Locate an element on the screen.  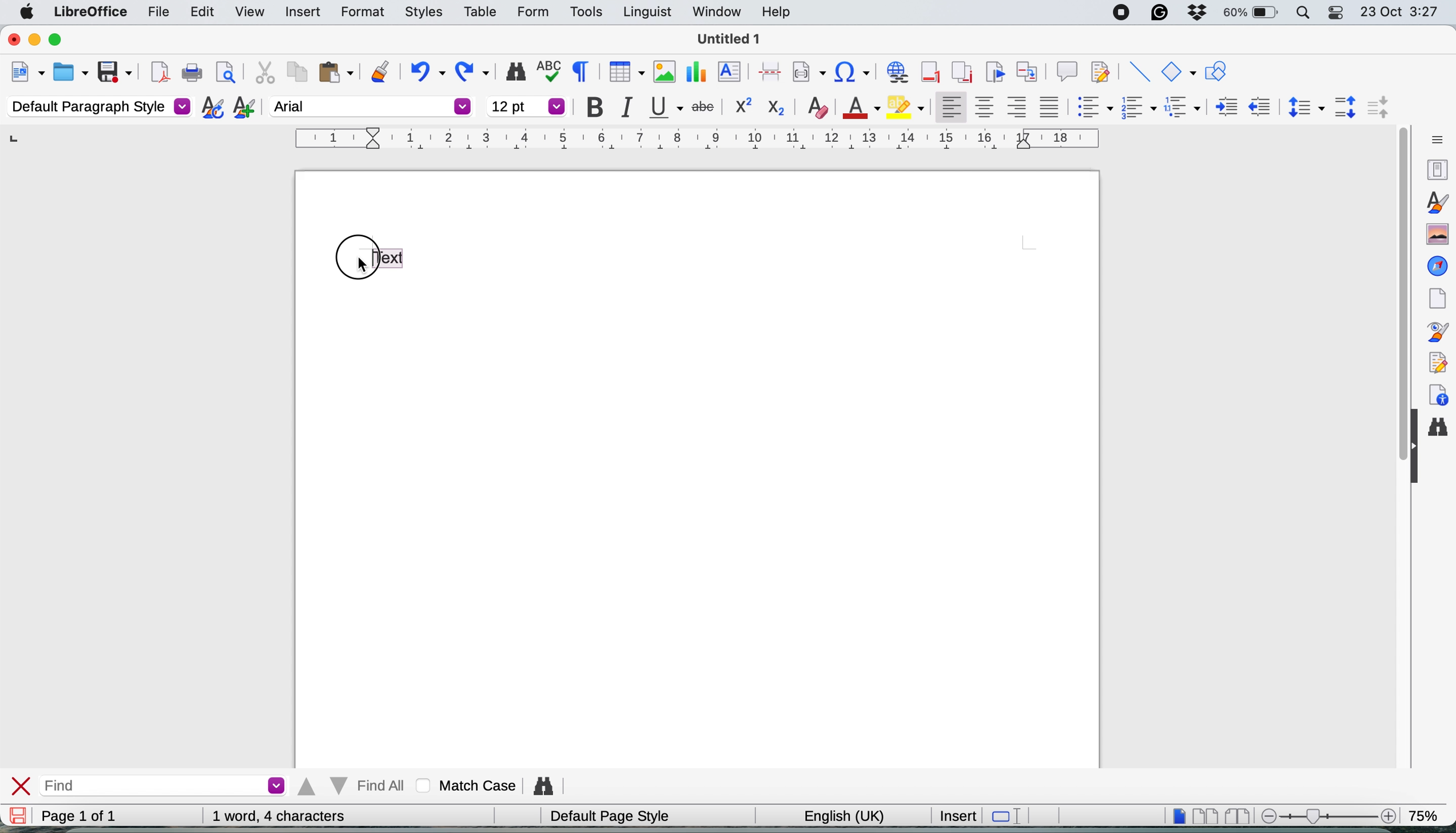
battery is located at coordinates (1250, 14).